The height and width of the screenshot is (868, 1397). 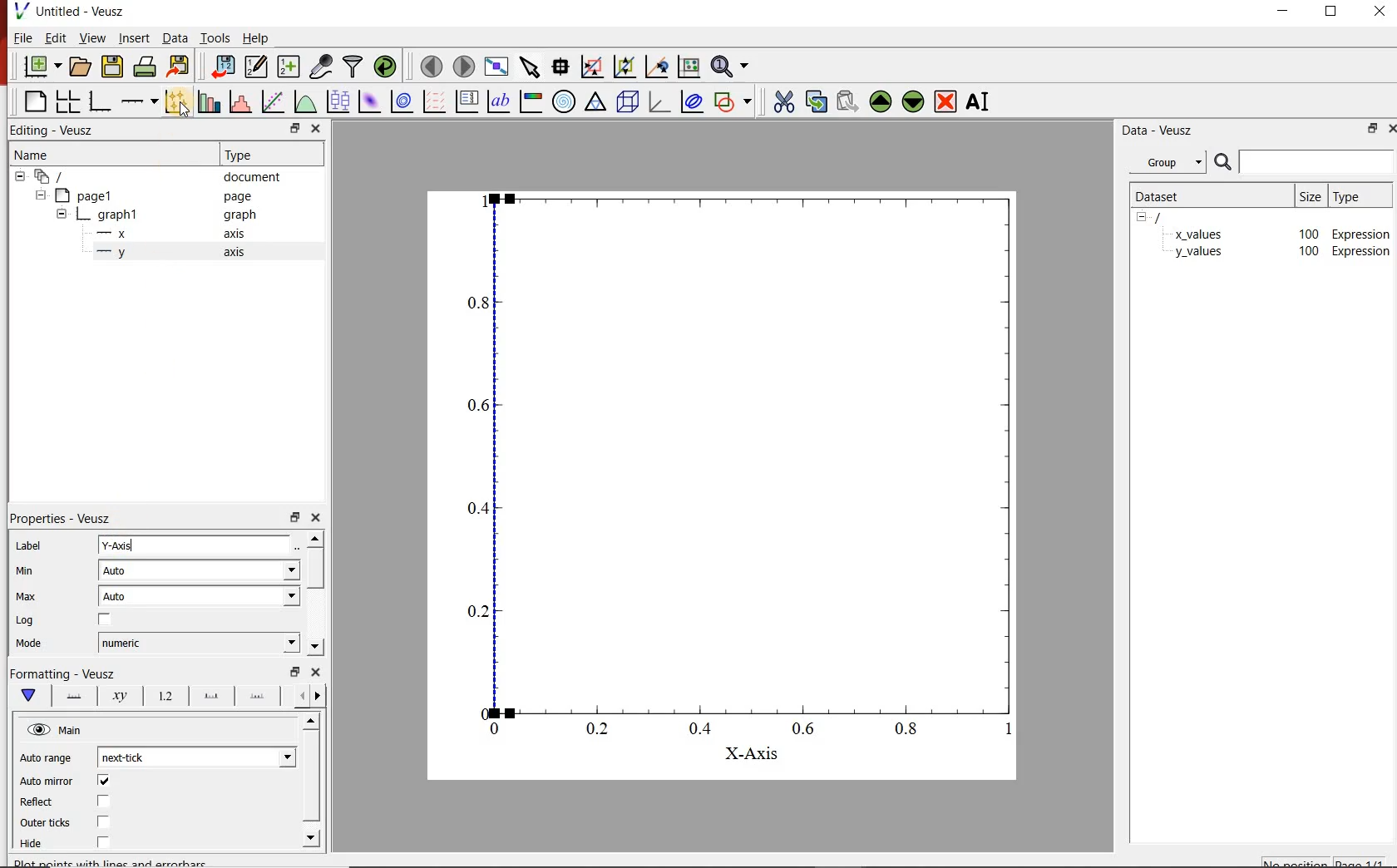 I want to click on checkbox, so click(x=105, y=841).